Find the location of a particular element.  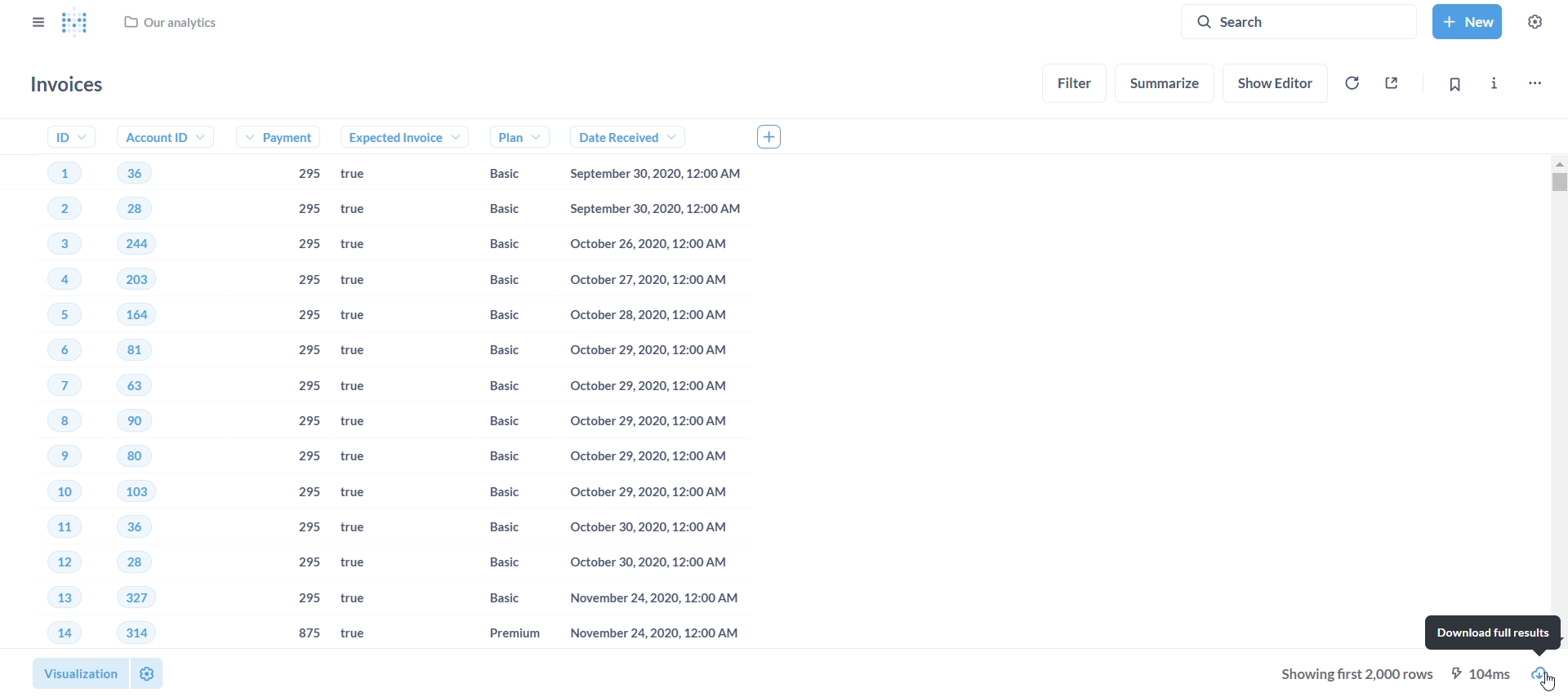

invoices is located at coordinates (71, 85).